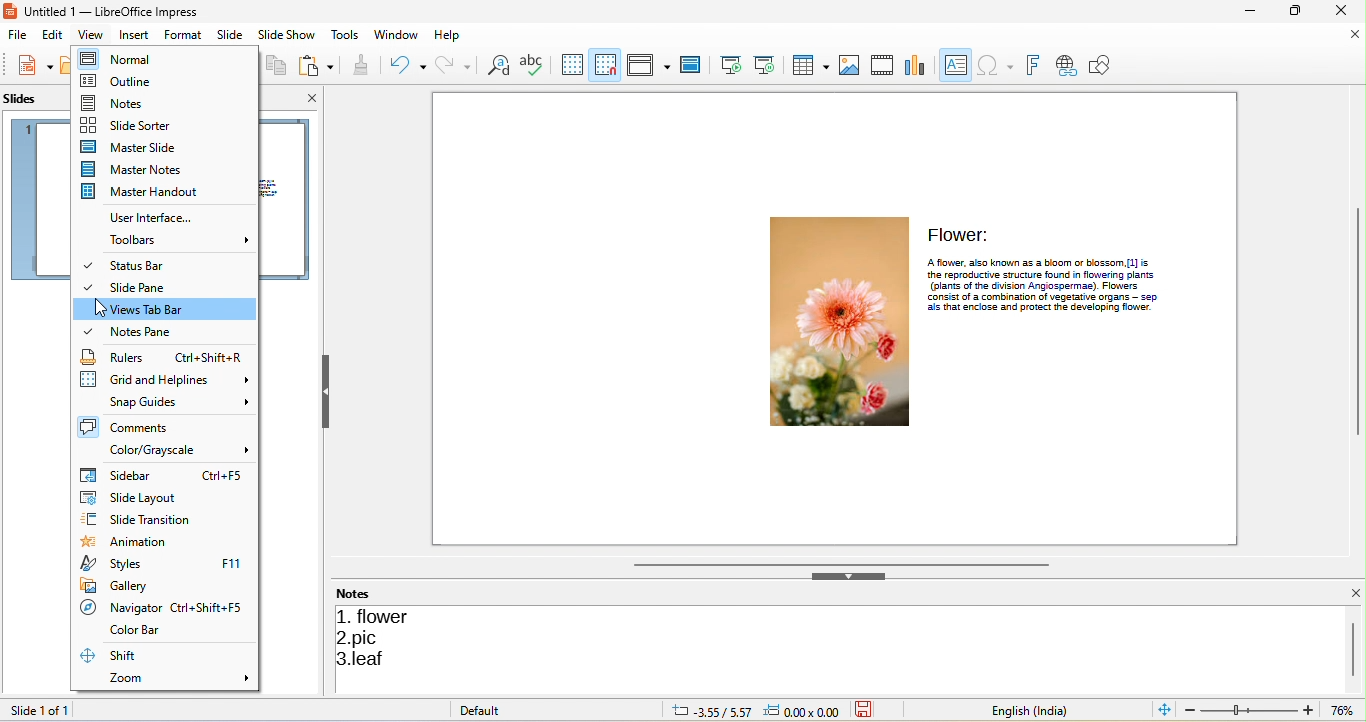 The width and height of the screenshot is (1366, 722). What do you see at coordinates (1102, 64) in the screenshot?
I see `show draw function` at bounding box center [1102, 64].